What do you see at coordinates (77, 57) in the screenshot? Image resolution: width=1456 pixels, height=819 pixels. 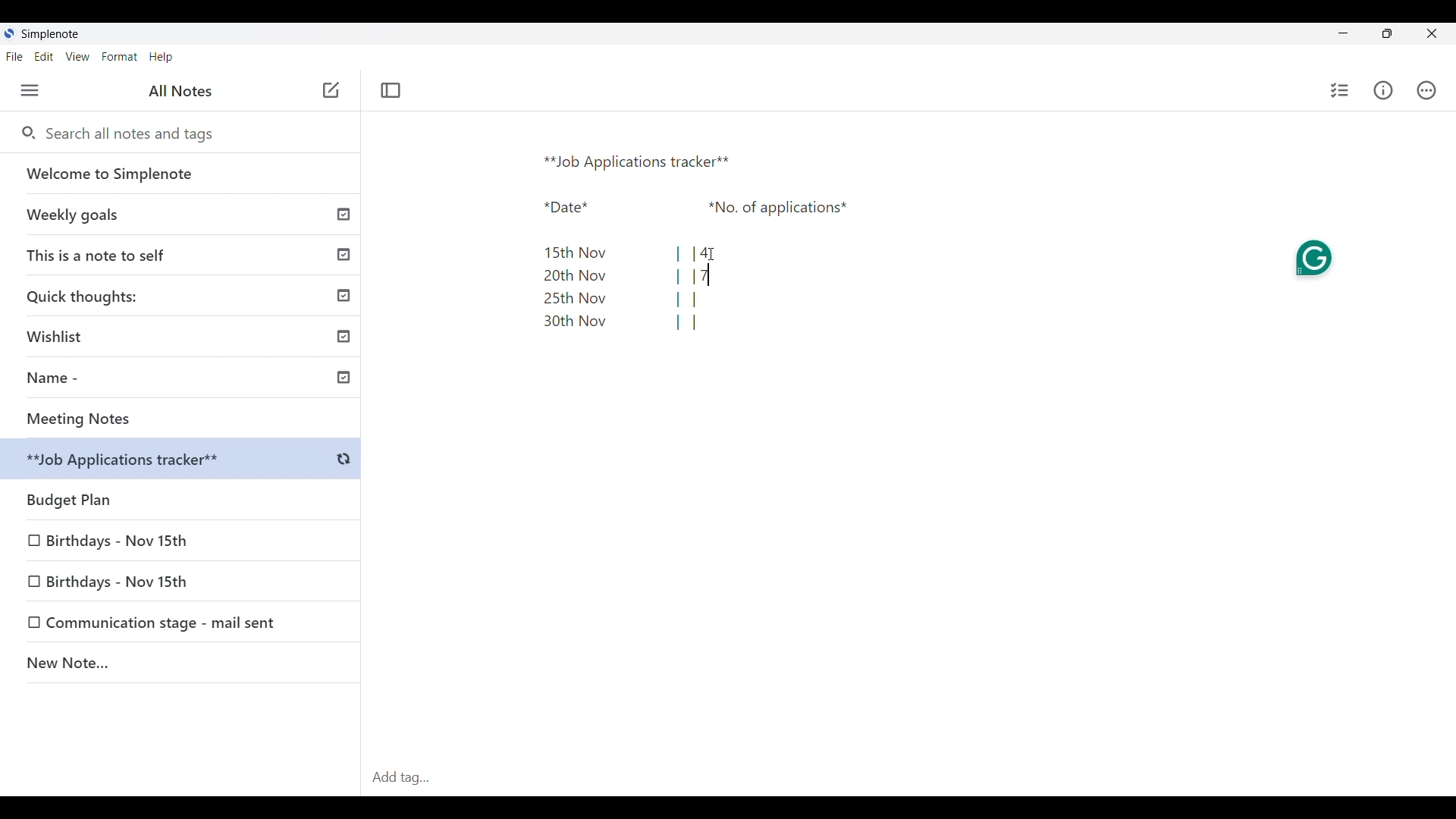 I see `View` at bounding box center [77, 57].